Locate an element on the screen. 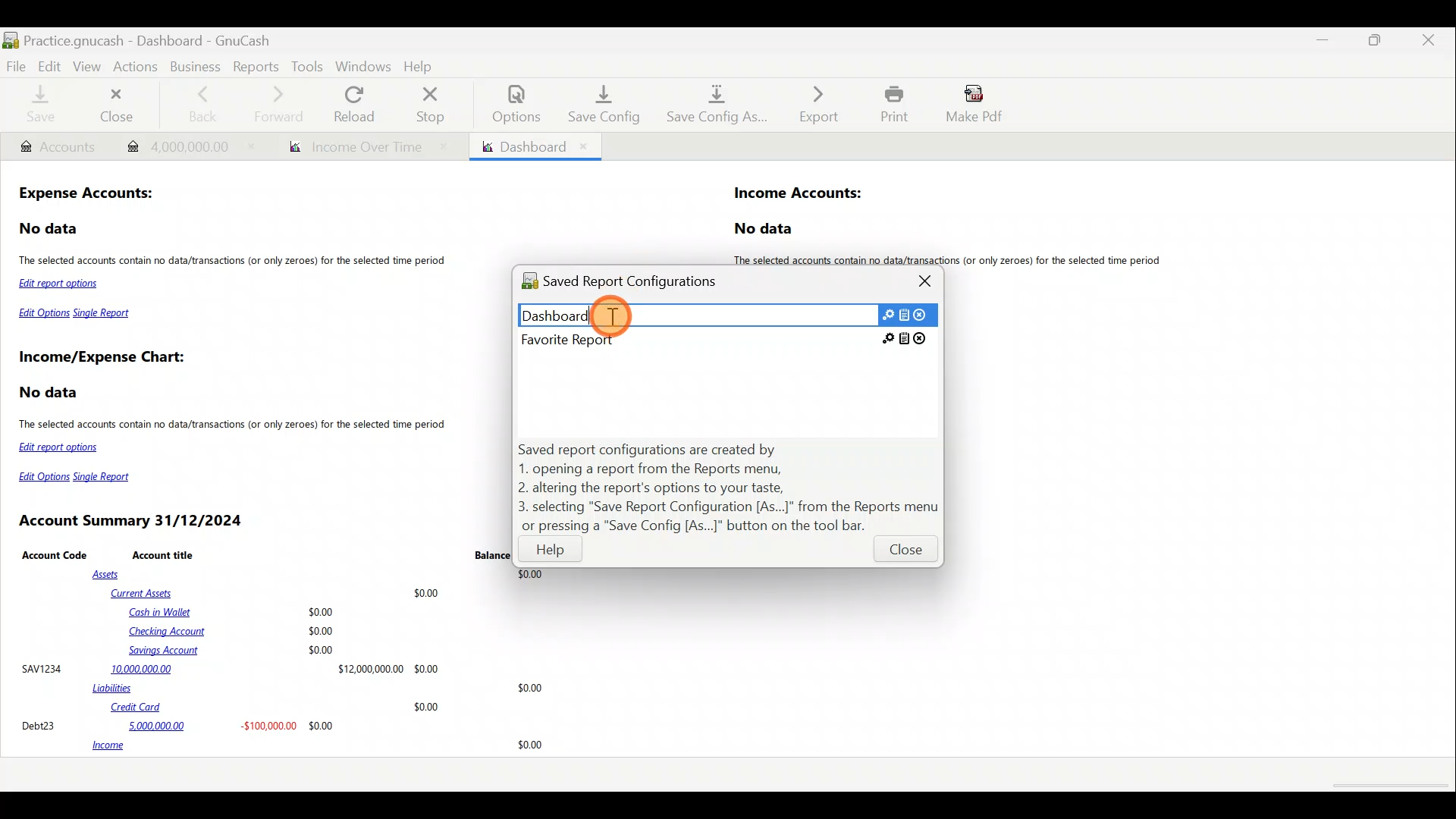  Back is located at coordinates (202, 102).